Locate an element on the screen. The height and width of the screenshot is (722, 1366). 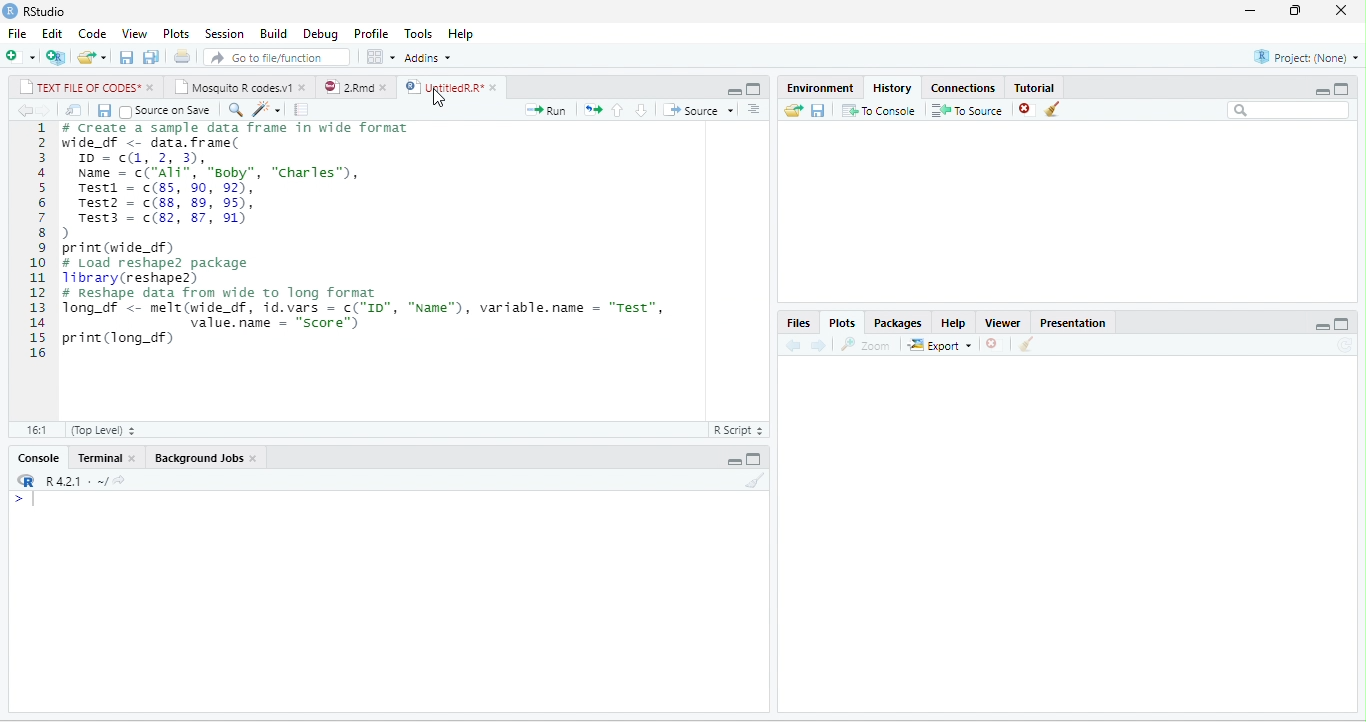
Build is located at coordinates (273, 34).